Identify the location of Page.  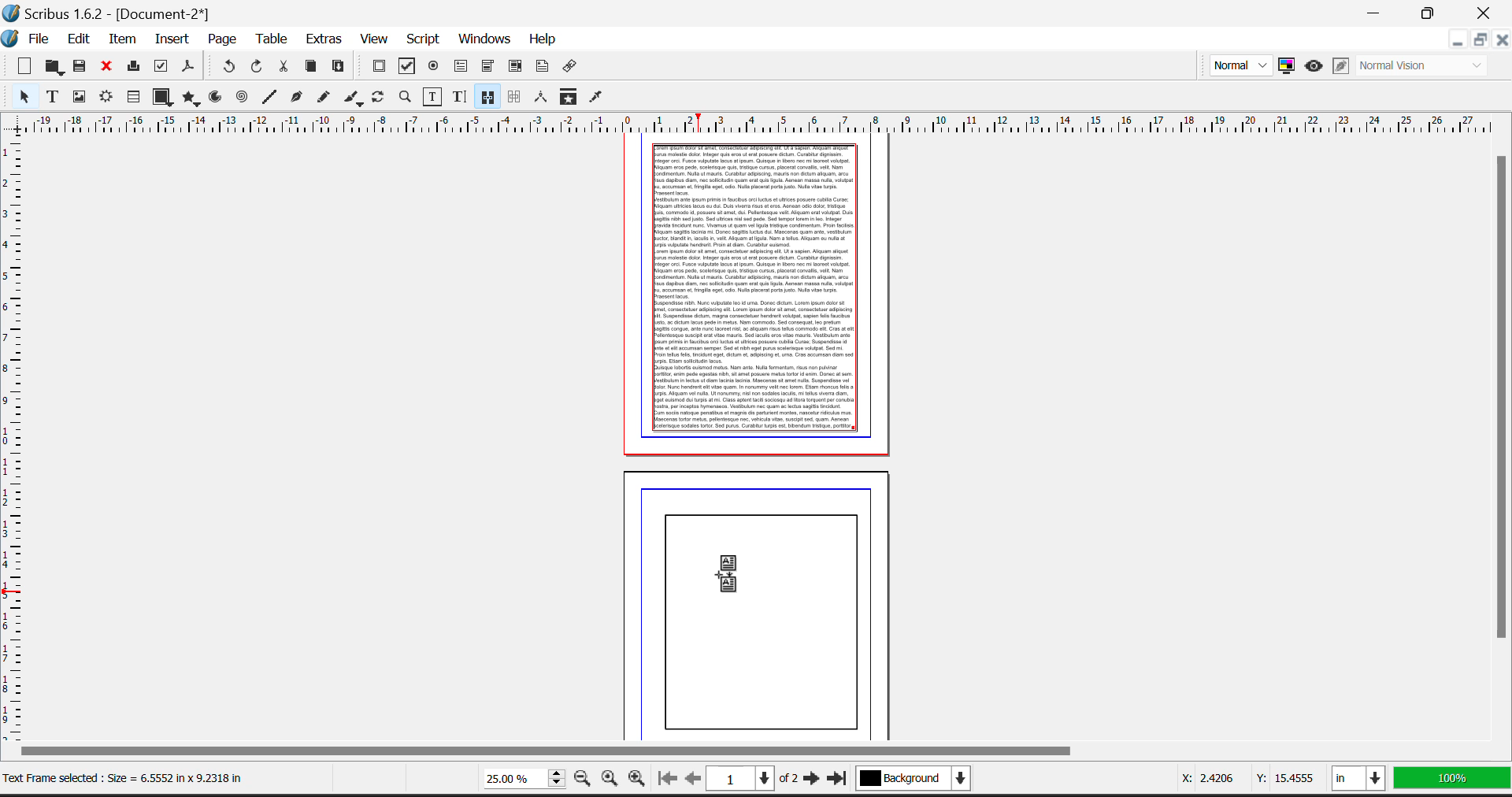
(222, 39).